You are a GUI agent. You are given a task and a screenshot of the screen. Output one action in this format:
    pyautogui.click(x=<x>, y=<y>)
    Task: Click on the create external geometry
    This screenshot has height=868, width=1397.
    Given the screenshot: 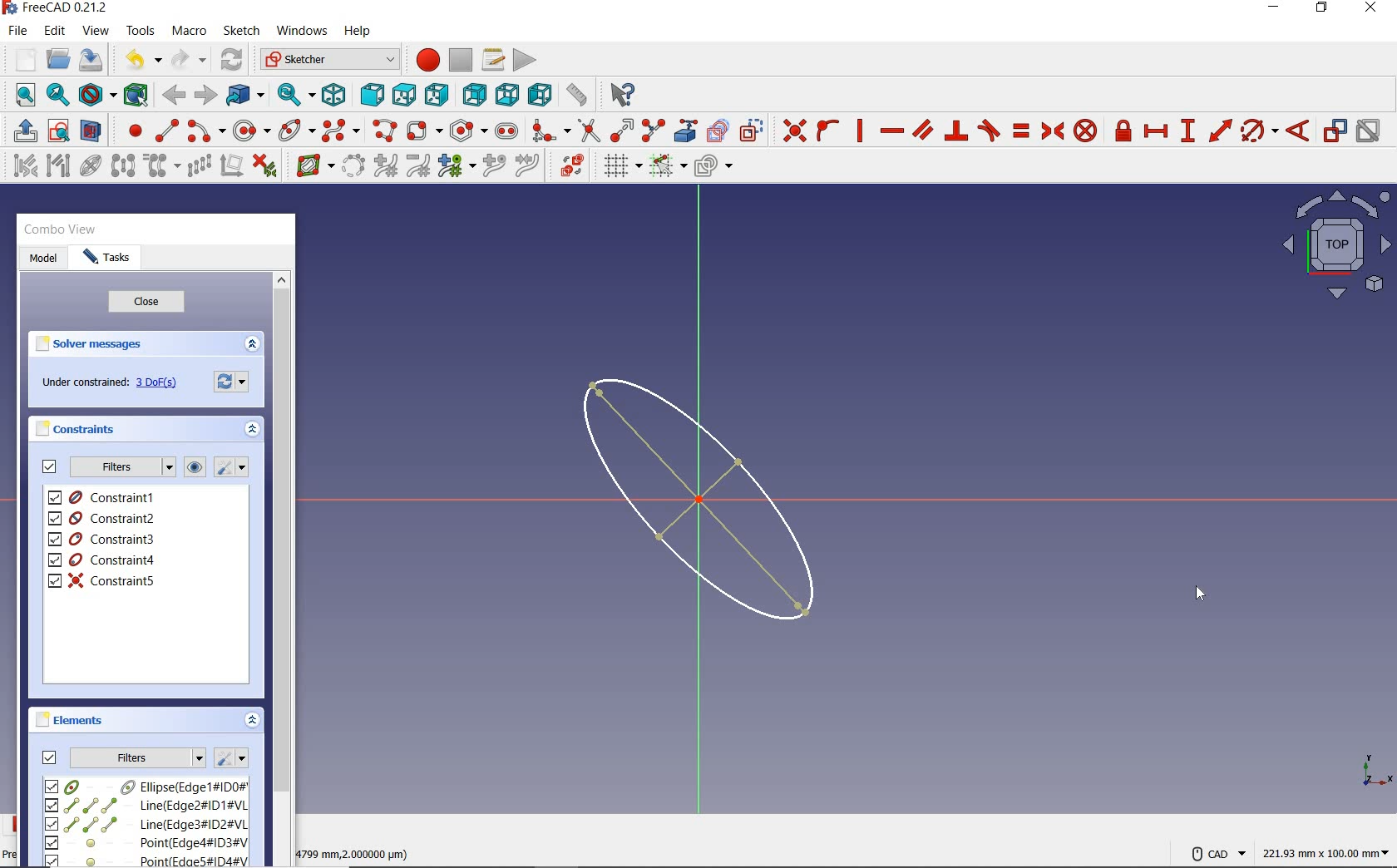 What is the action you would take?
    pyautogui.click(x=684, y=131)
    